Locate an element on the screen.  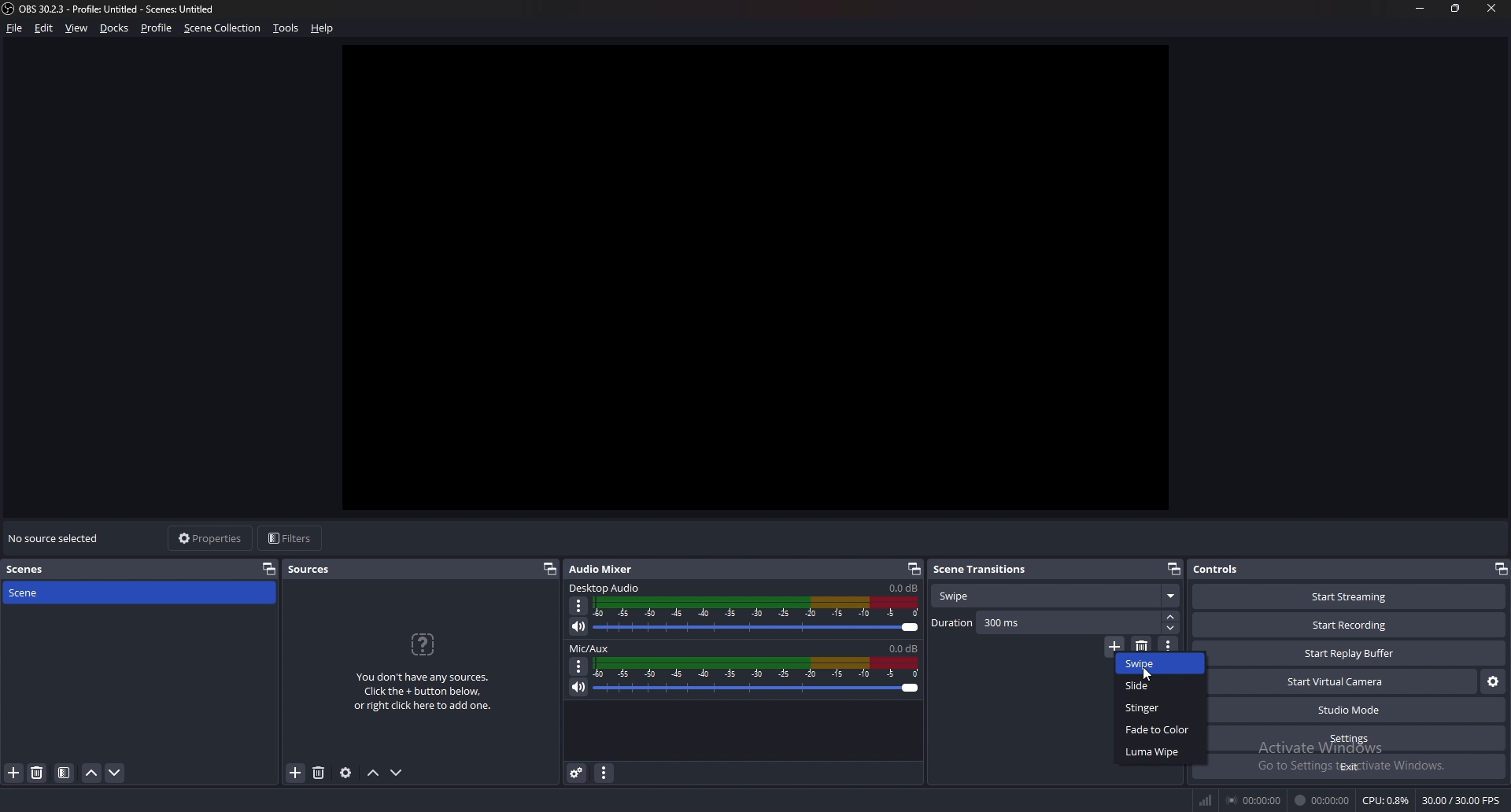
pop out is located at coordinates (1500, 570).